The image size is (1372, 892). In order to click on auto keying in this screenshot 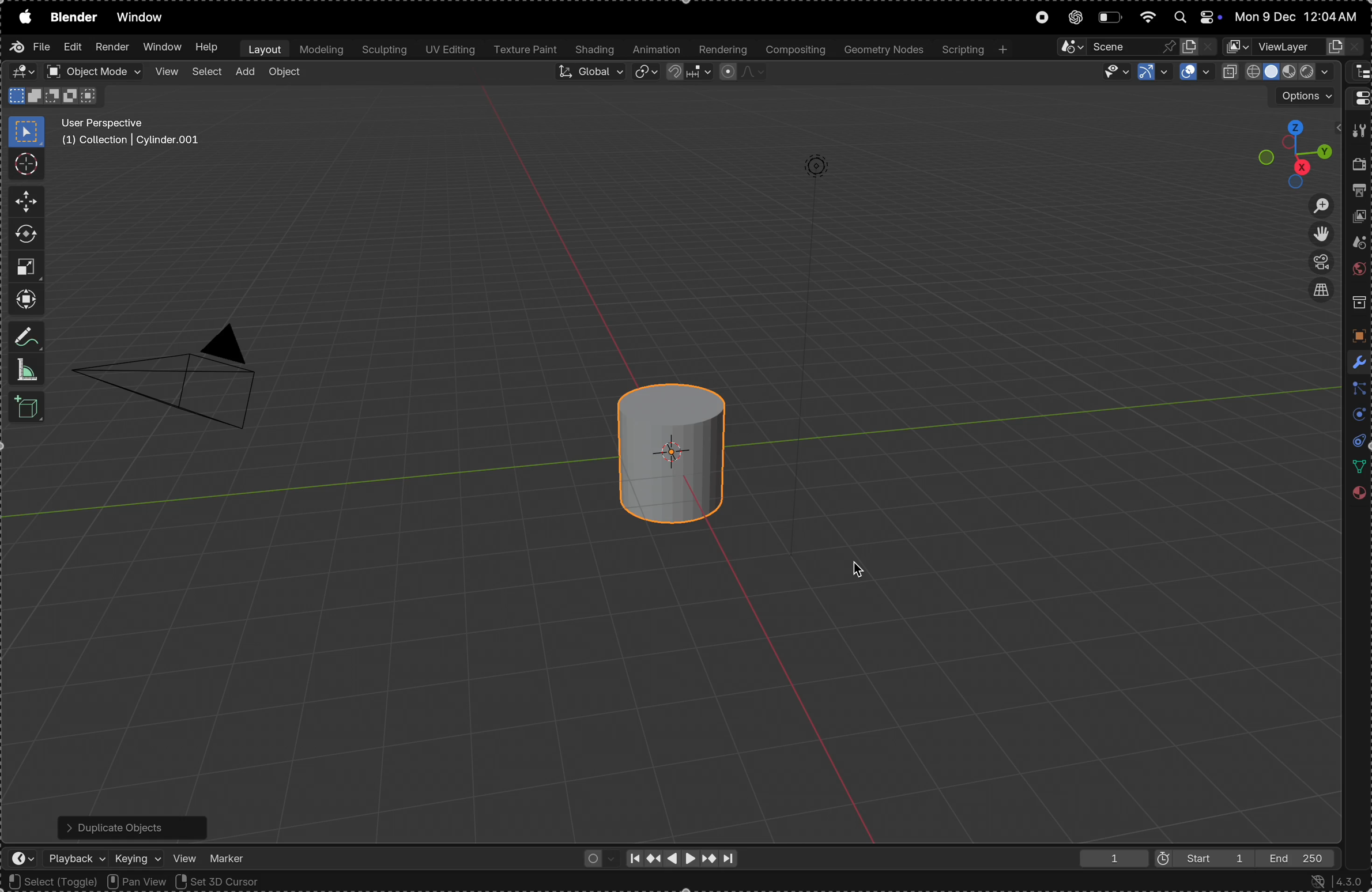, I will do `click(597, 857)`.